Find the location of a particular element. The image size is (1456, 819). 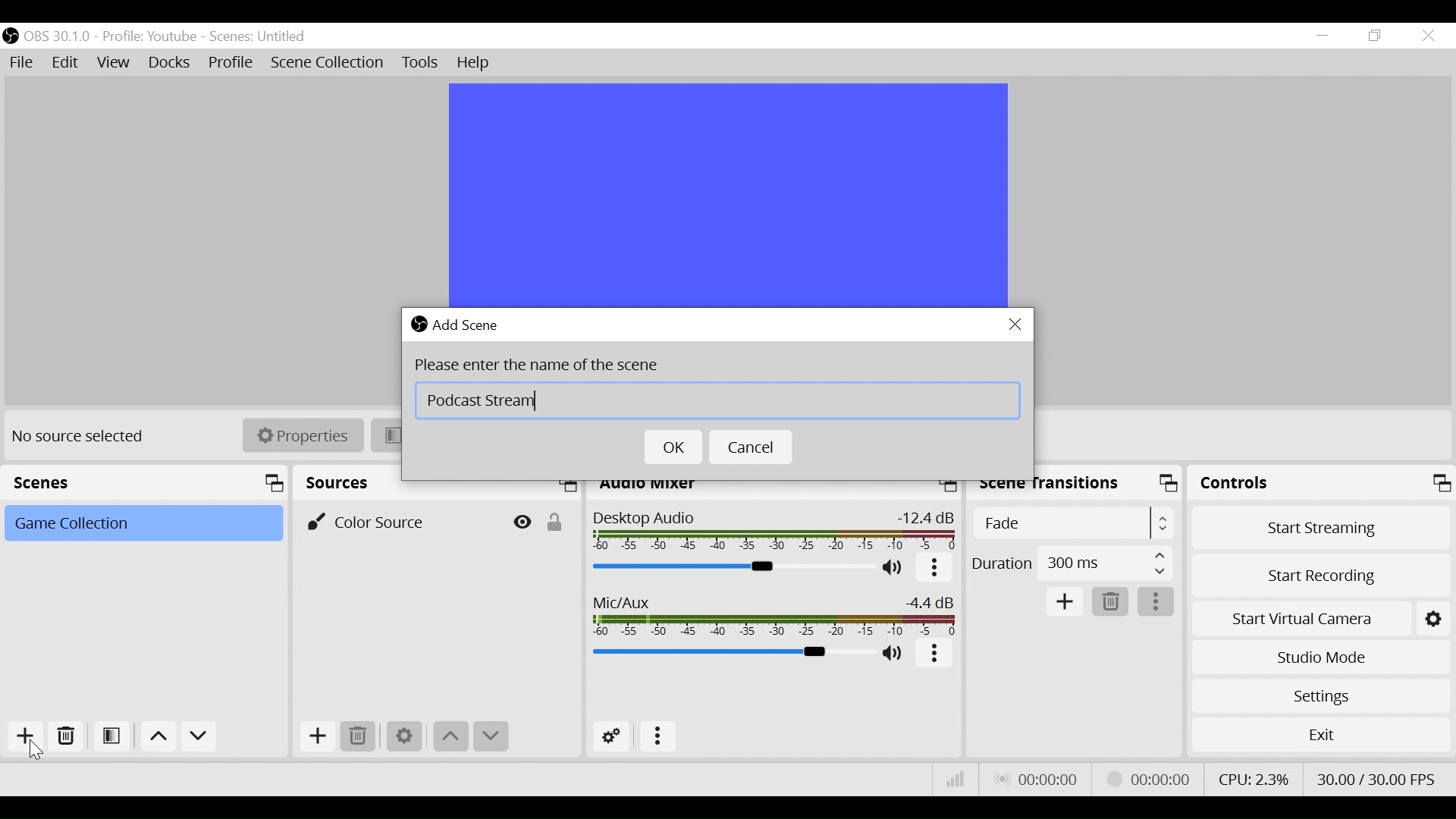

Live Status is located at coordinates (1035, 777).